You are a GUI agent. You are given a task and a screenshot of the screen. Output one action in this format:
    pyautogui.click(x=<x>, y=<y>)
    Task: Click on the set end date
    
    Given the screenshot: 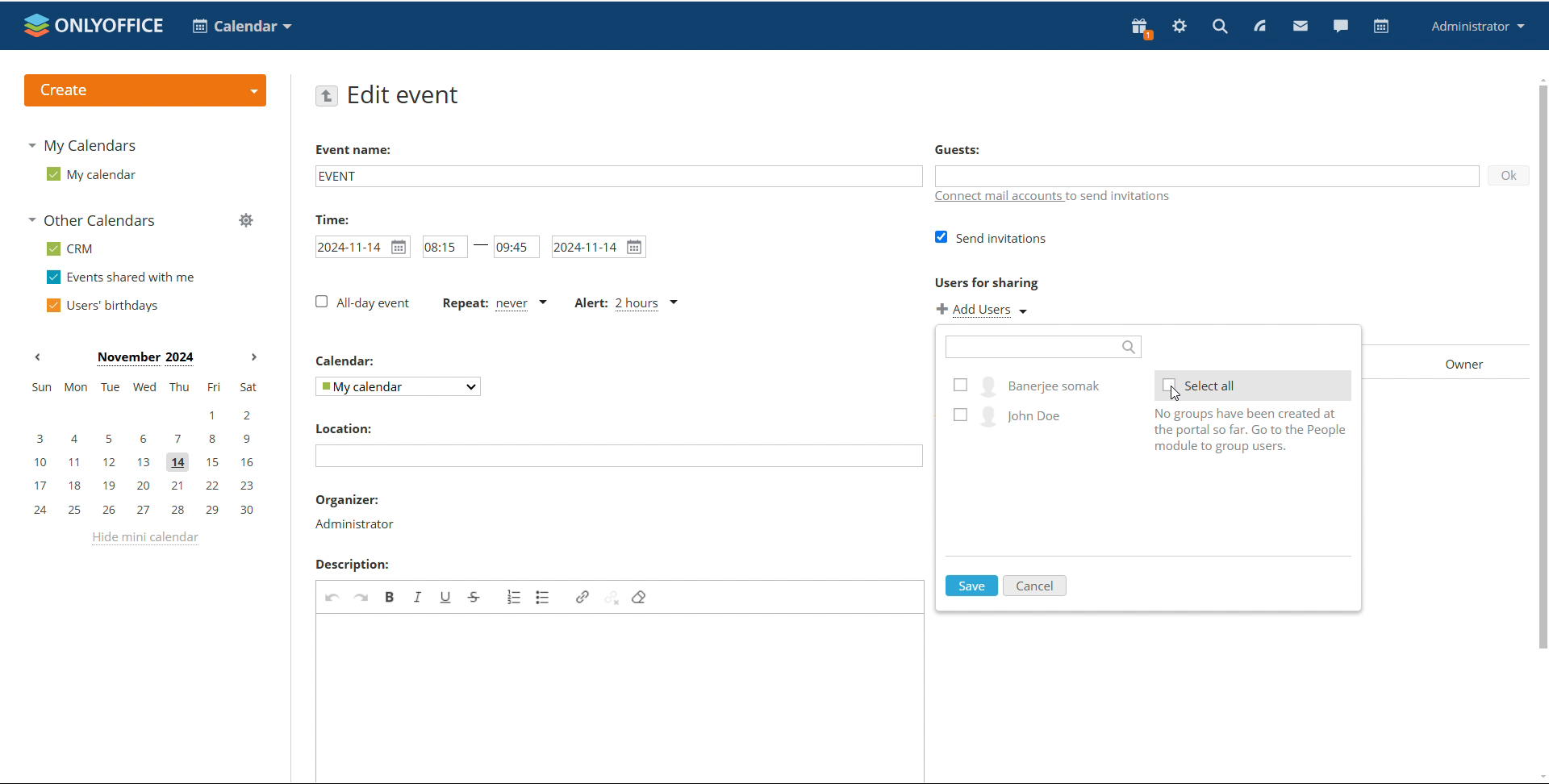 What is the action you would take?
    pyautogui.click(x=599, y=247)
    